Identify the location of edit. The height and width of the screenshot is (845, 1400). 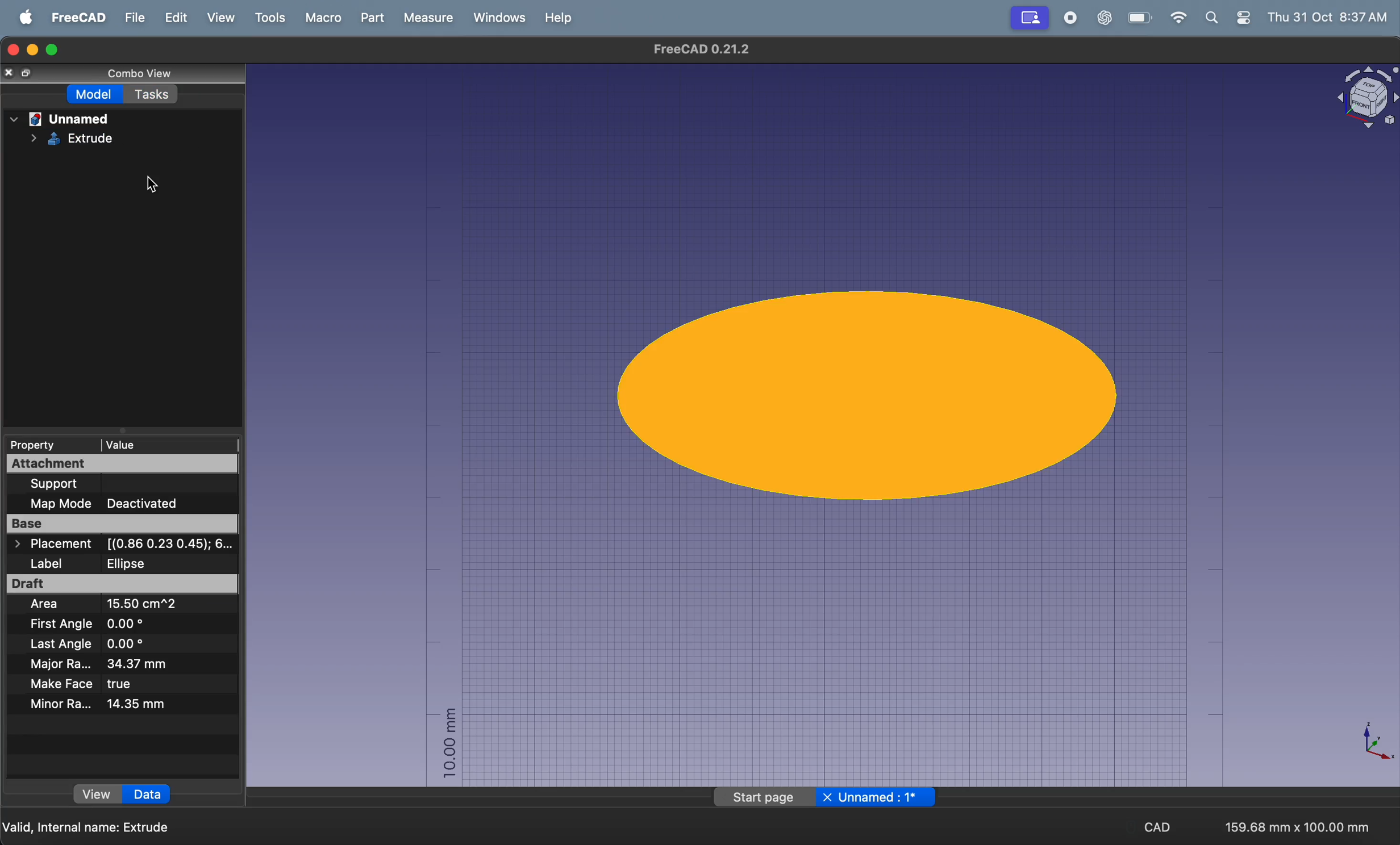
(173, 19).